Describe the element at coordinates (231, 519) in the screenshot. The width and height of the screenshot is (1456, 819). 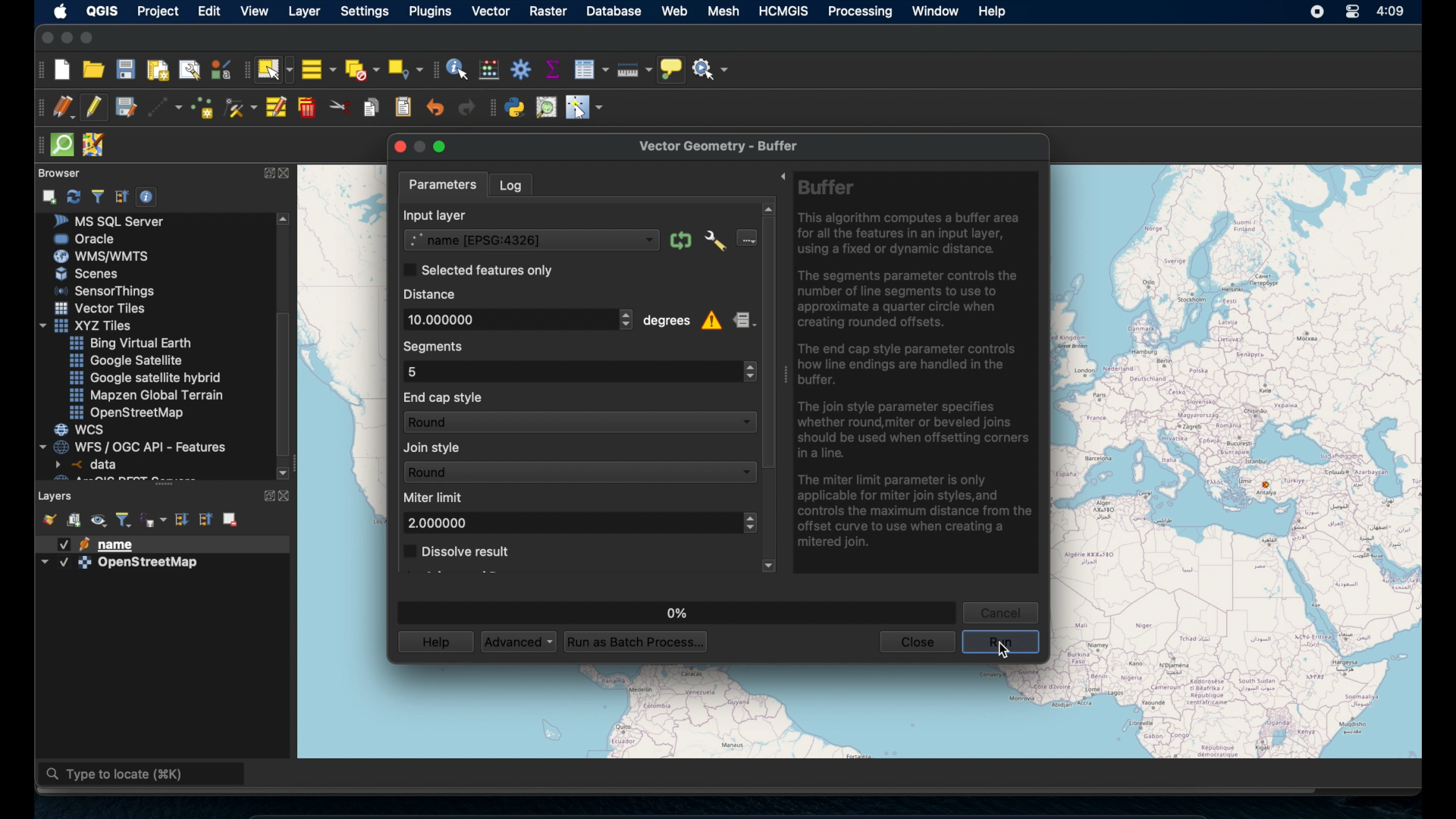
I see `remove layer/group` at that location.